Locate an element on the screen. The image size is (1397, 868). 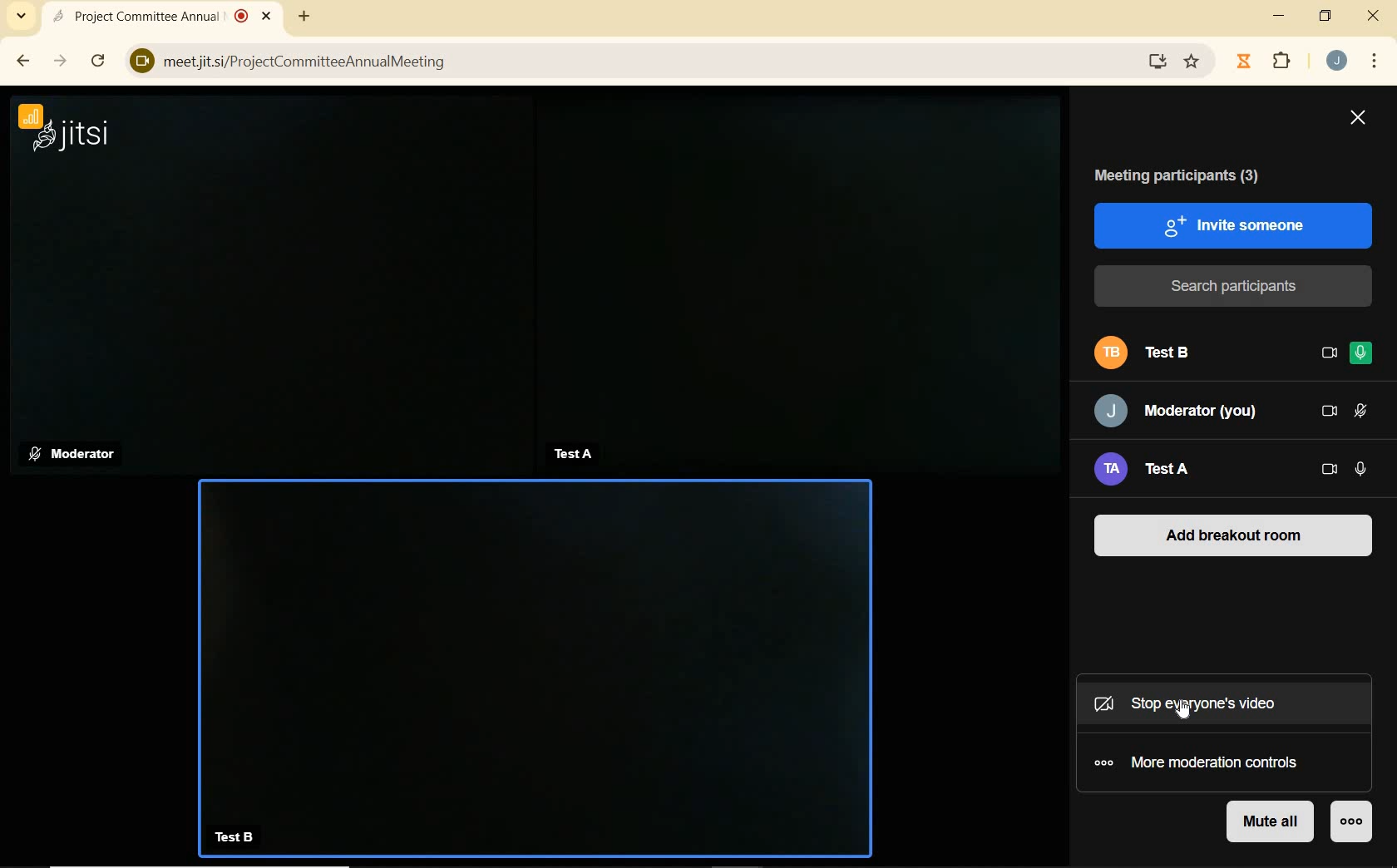
CUSTOMIZE GOOGLE CHROME is located at coordinates (1373, 62).